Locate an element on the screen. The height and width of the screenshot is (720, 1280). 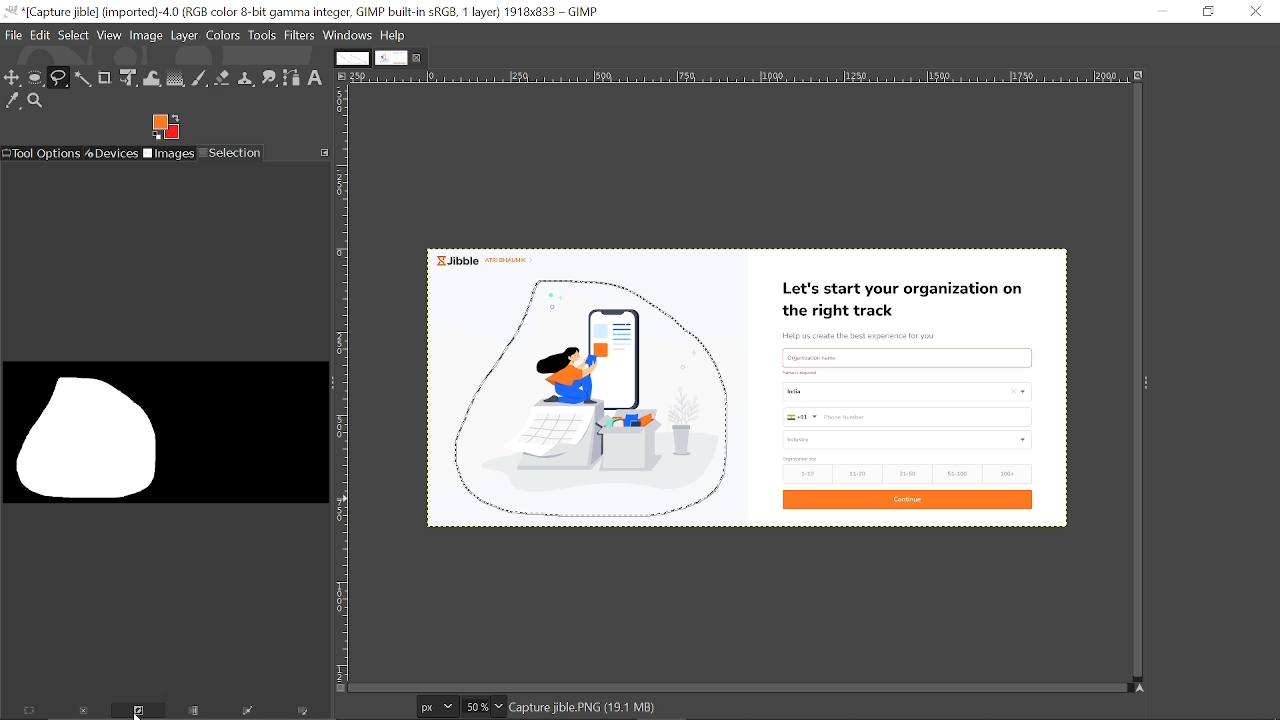
Cursor is located at coordinates (134, 710).